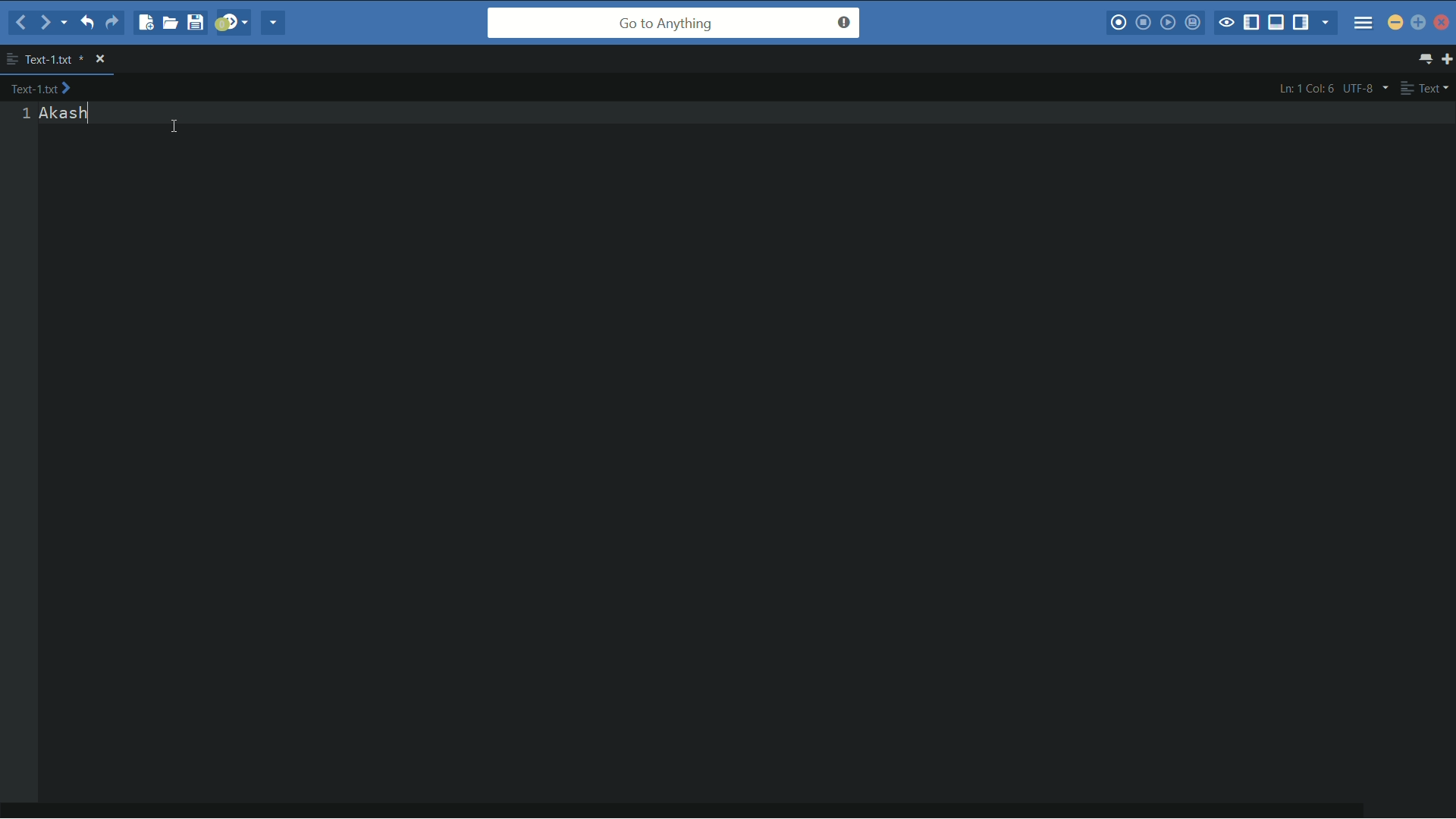 Image resolution: width=1456 pixels, height=819 pixels. I want to click on new tab, so click(1447, 58).